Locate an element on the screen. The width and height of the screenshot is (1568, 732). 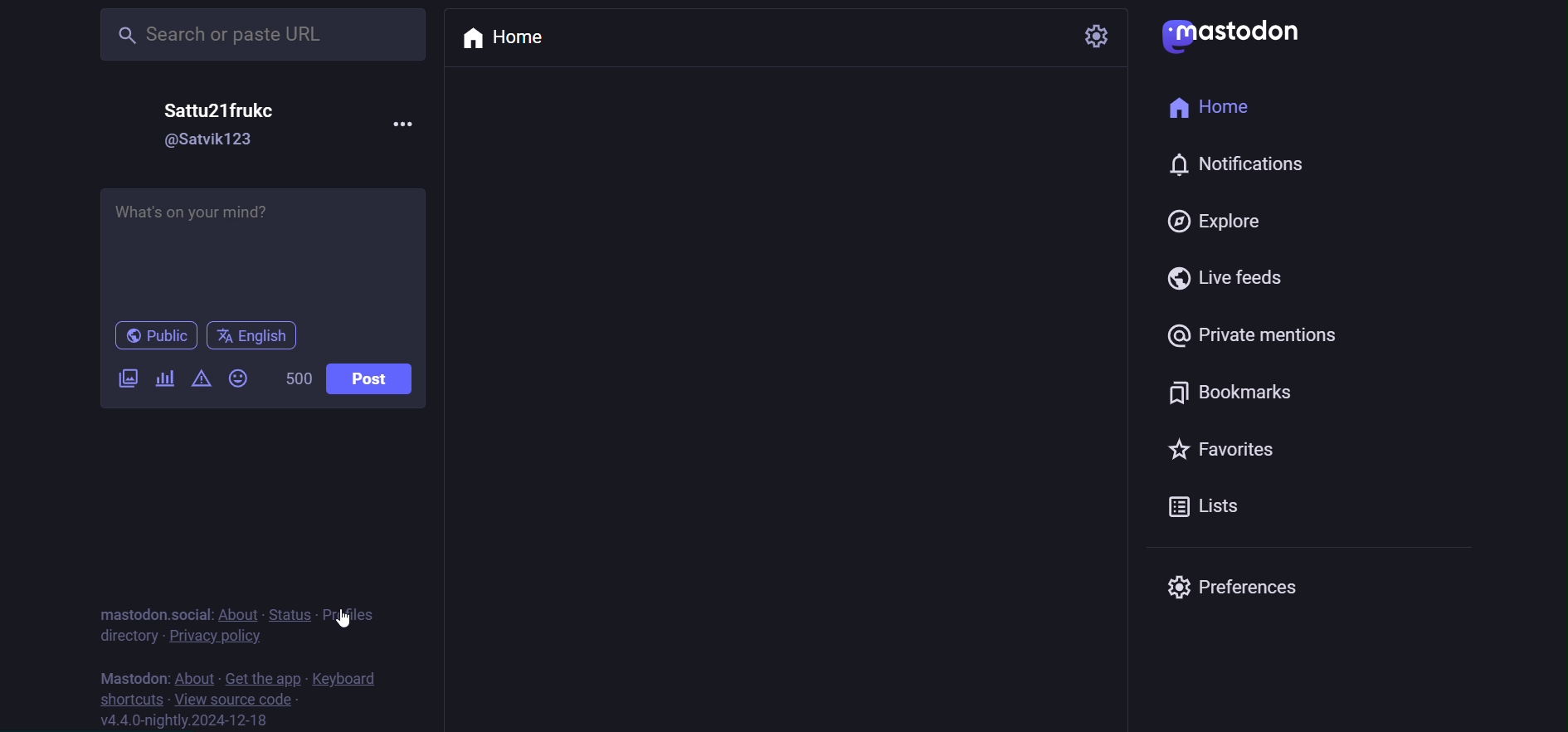
Sattu21frukc is located at coordinates (223, 110).